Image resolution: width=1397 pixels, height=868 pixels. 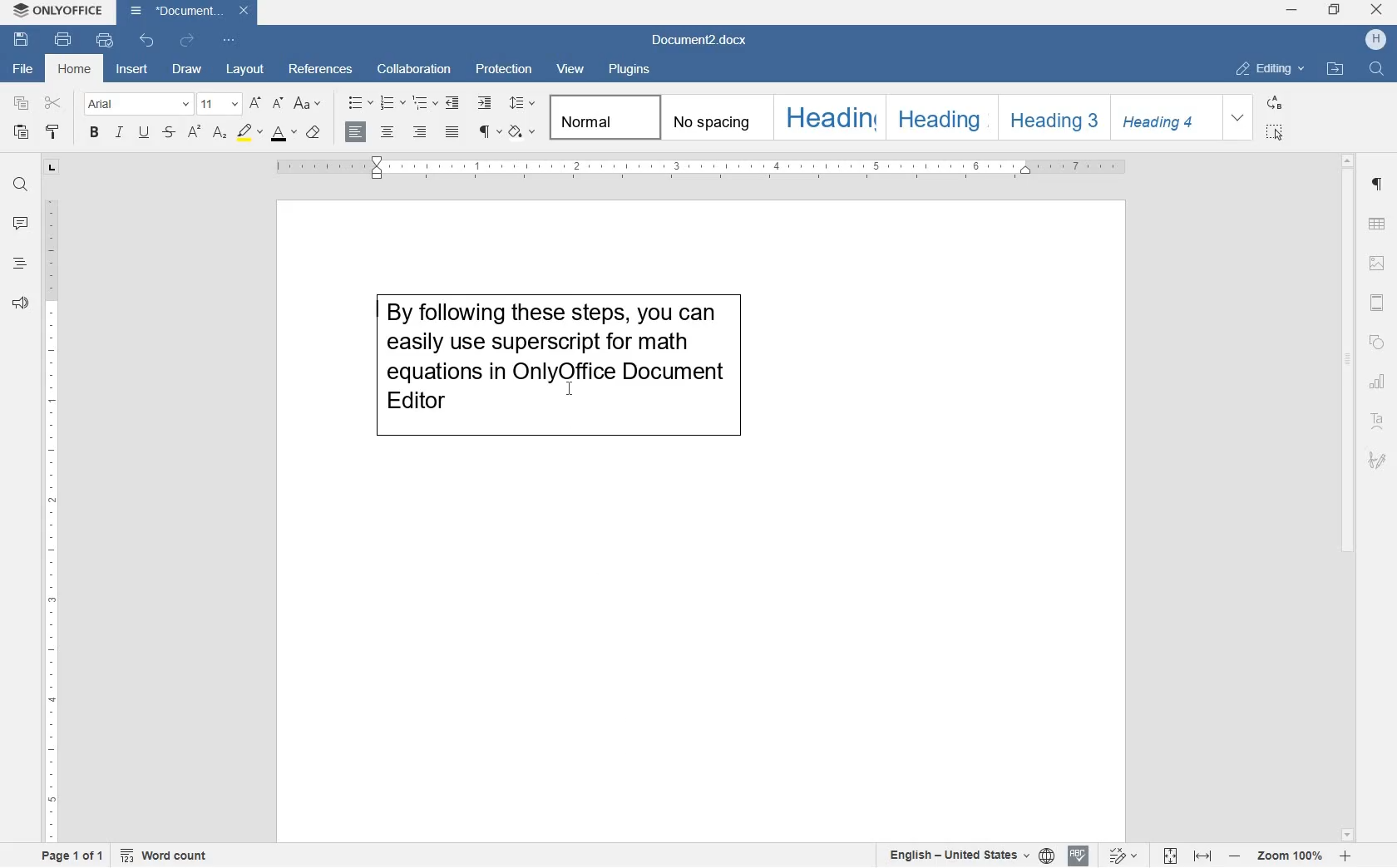 What do you see at coordinates (523, 101) in the screenshot?
I see `paragraph line spacing` at bounding box center [523, 101].